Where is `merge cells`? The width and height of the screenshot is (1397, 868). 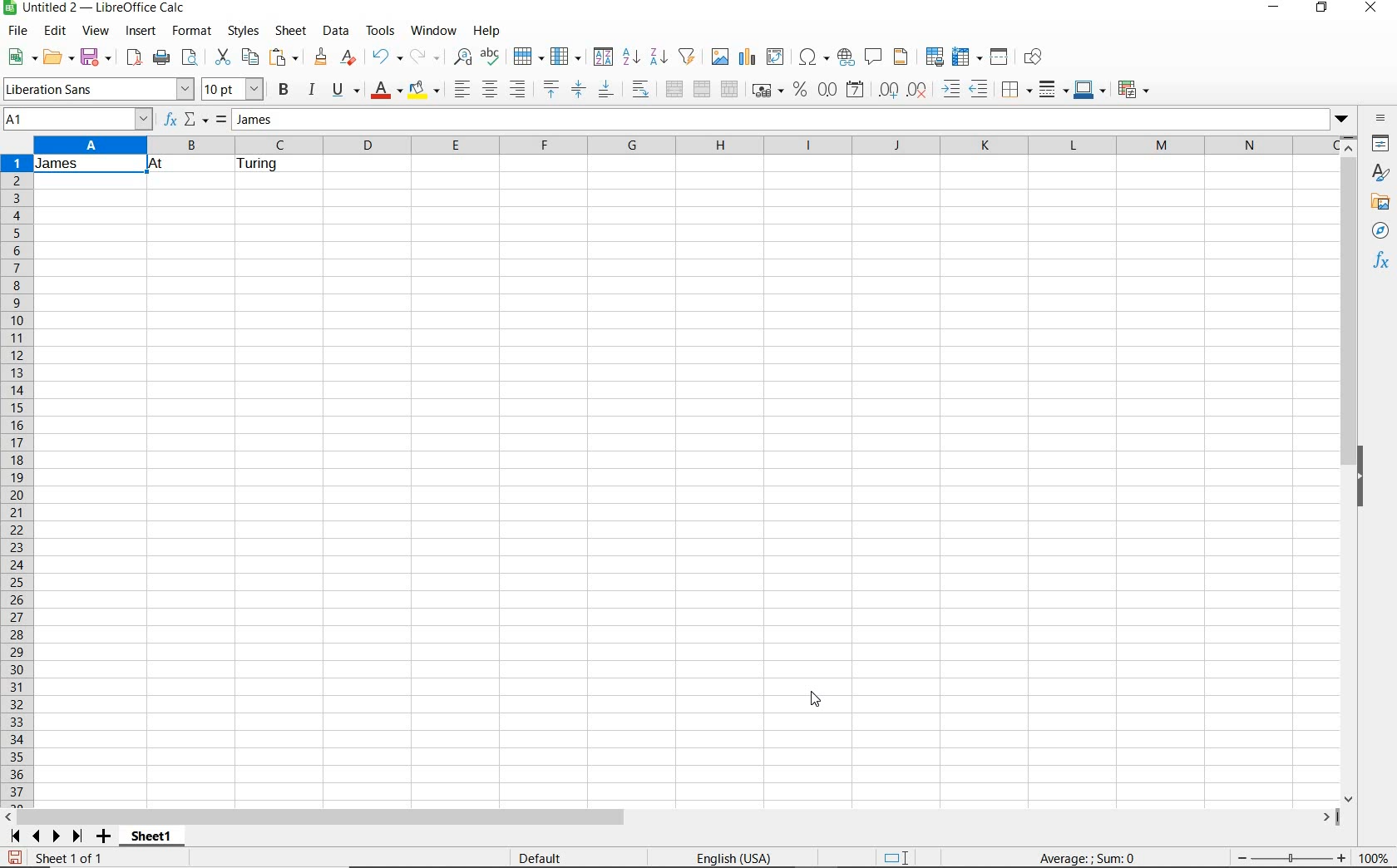
merge cells is located at coordinates (703, 91).